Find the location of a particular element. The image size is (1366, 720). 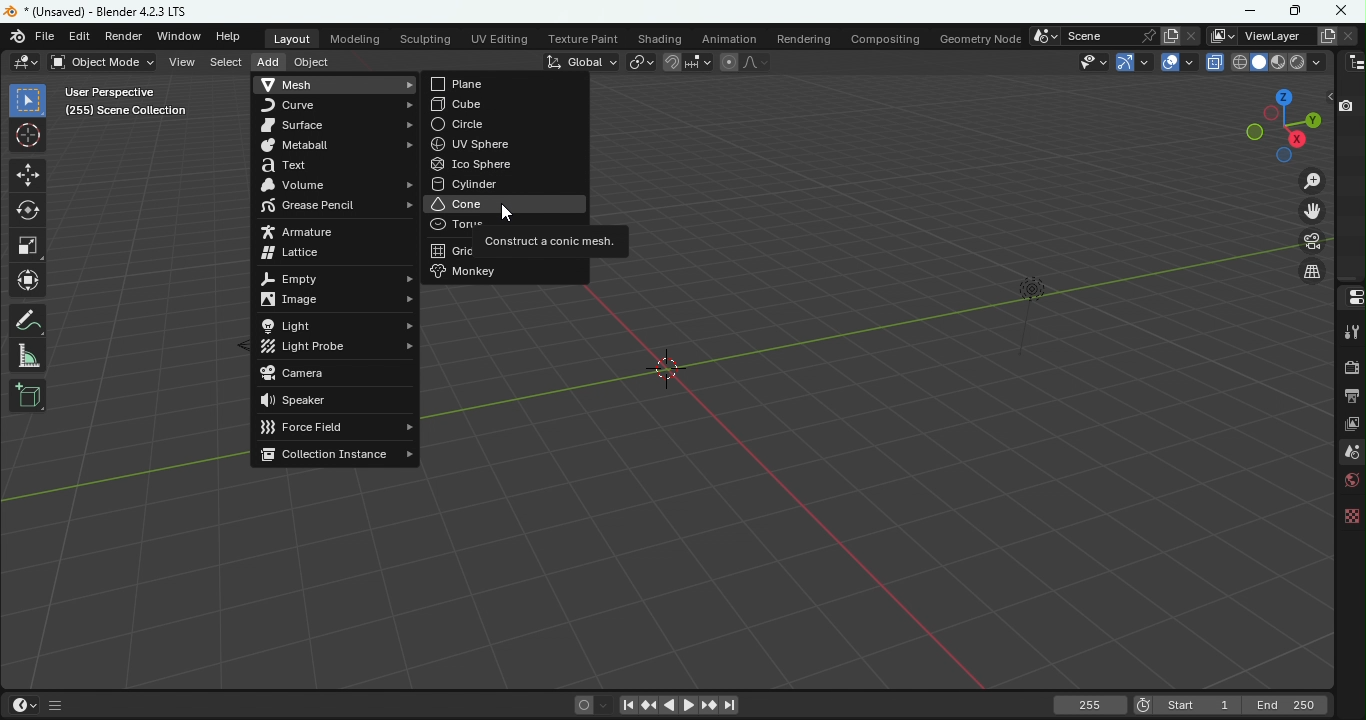

Move is located at coordinates (29, 177).